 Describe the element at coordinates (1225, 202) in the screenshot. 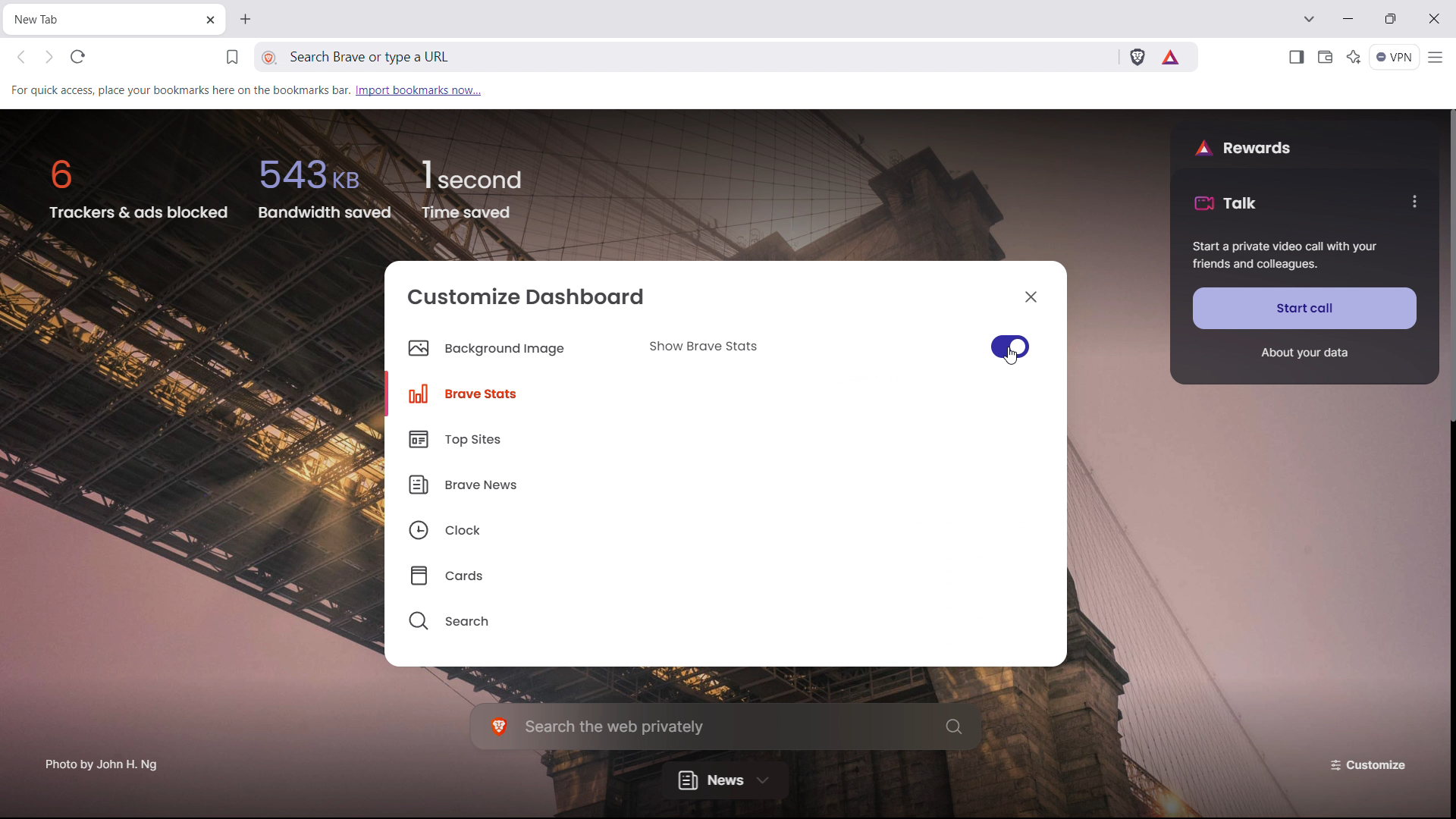

I see `talk` at that location.